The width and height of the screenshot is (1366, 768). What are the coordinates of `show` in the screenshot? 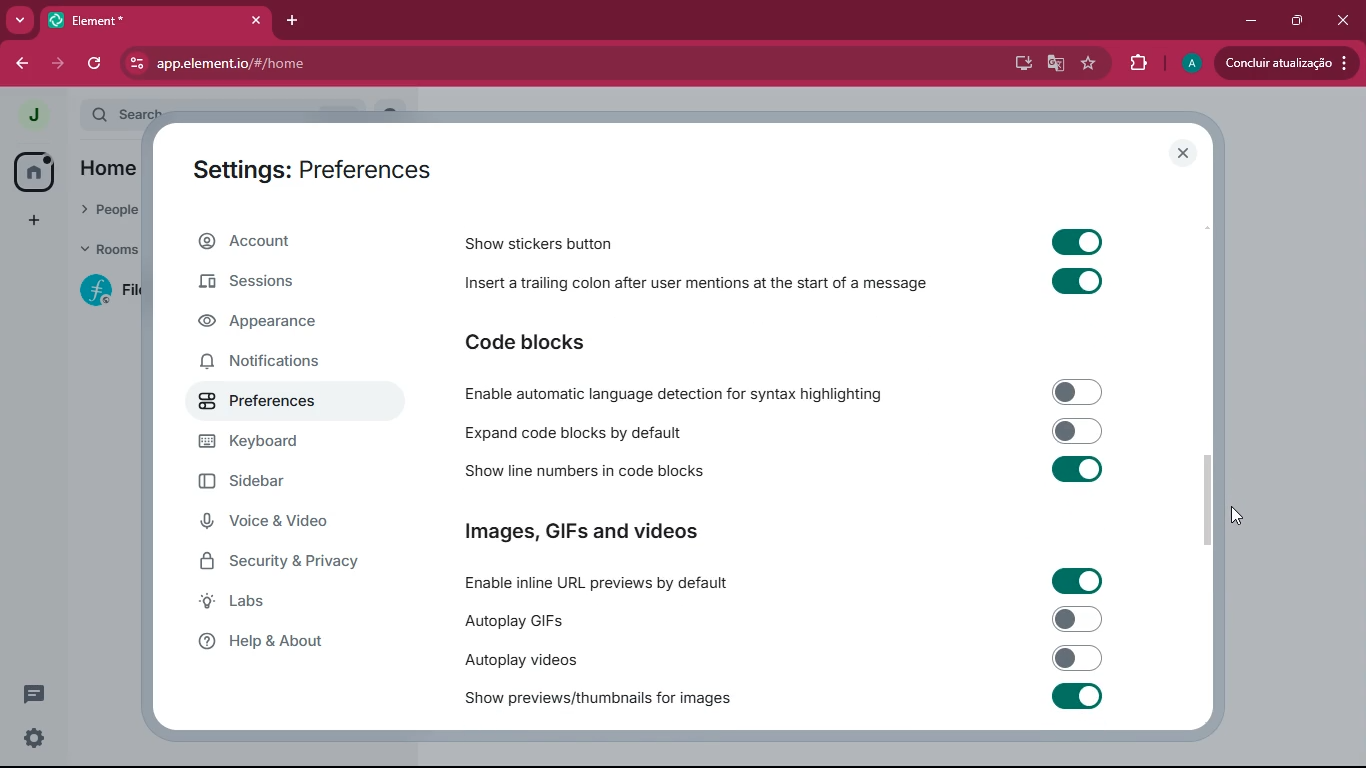 It's located at (598, 699).